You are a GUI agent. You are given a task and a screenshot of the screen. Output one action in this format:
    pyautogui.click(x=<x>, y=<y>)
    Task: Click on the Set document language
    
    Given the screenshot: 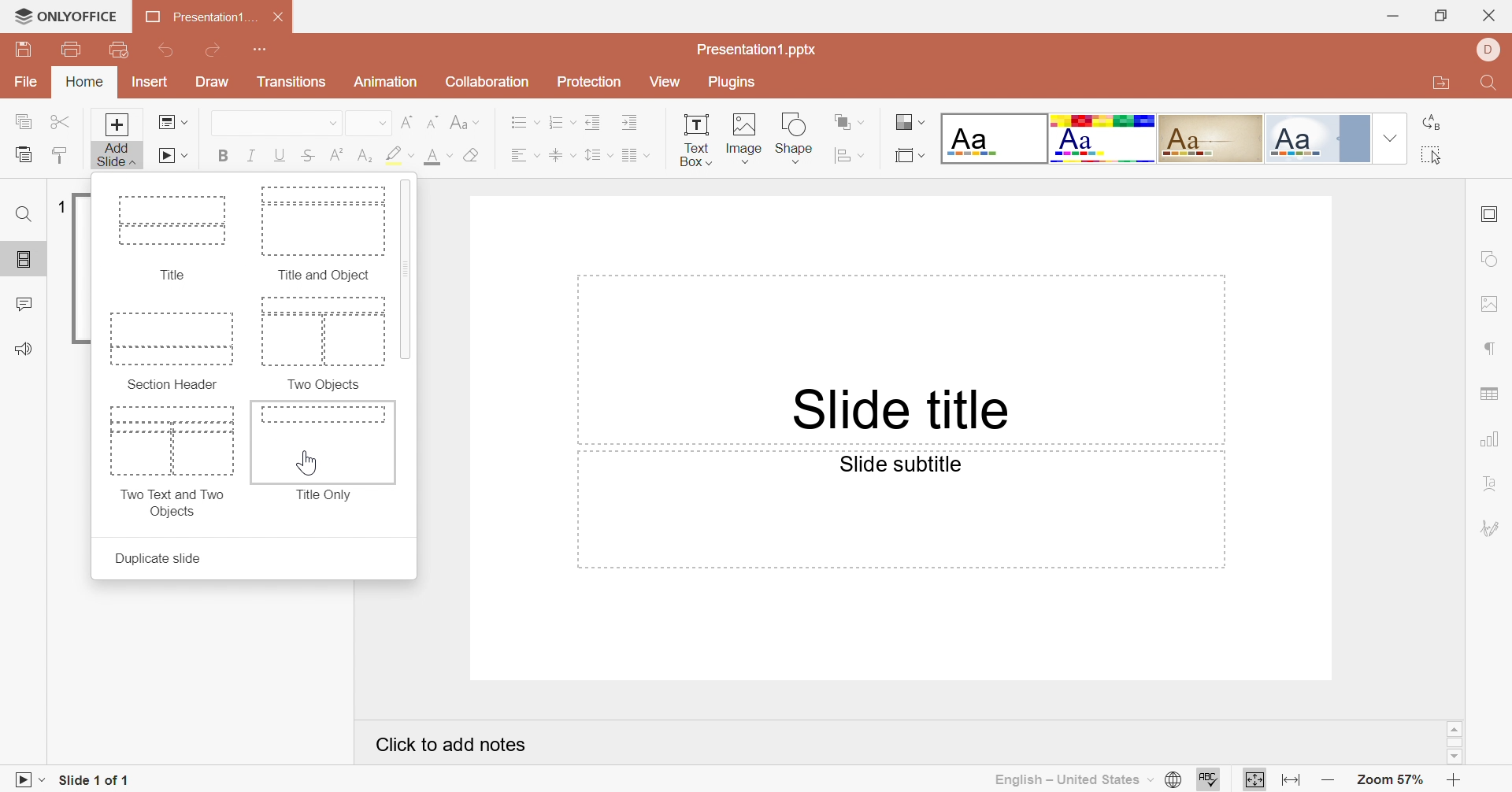 What is the action you would take?
    pyautogui.click(x=1173, y=778)
    